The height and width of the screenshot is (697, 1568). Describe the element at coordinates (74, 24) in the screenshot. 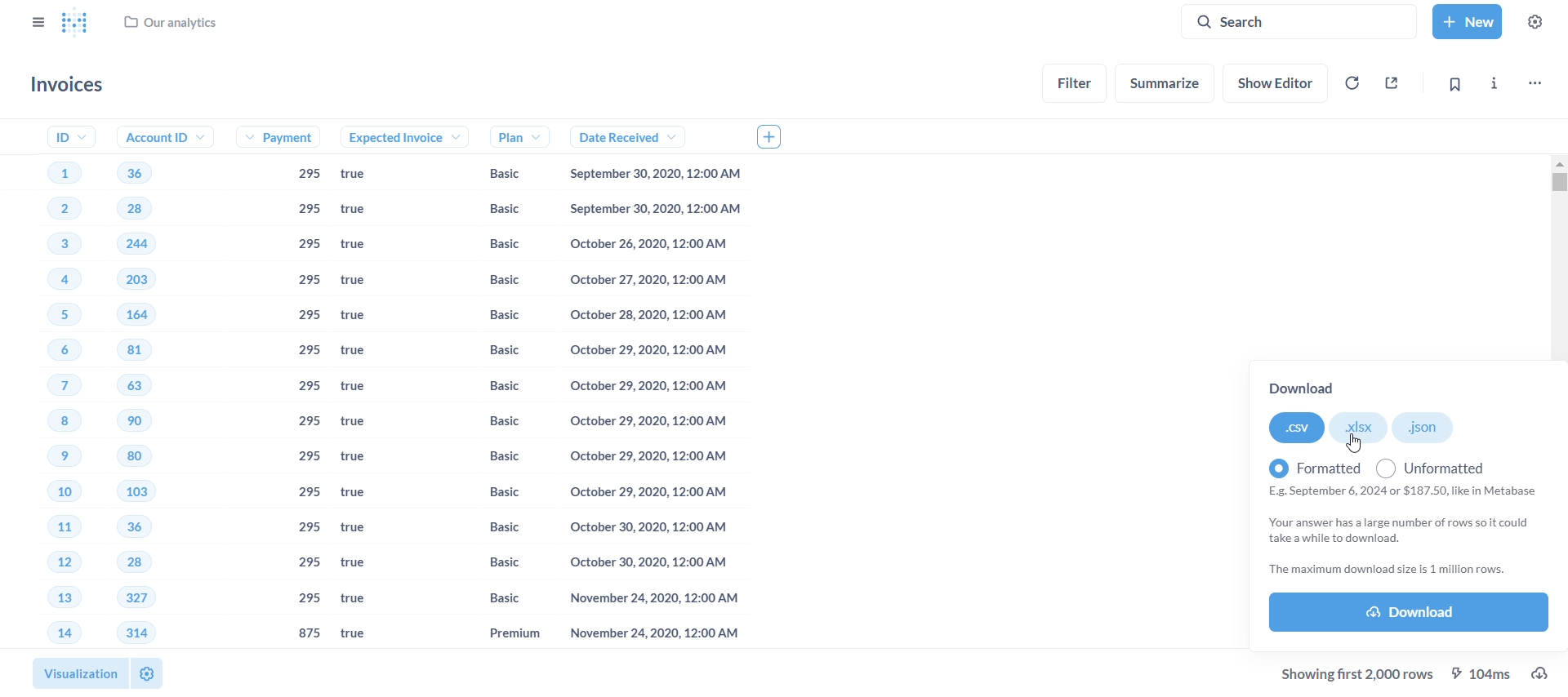

I see `Metabase logo` at that location.